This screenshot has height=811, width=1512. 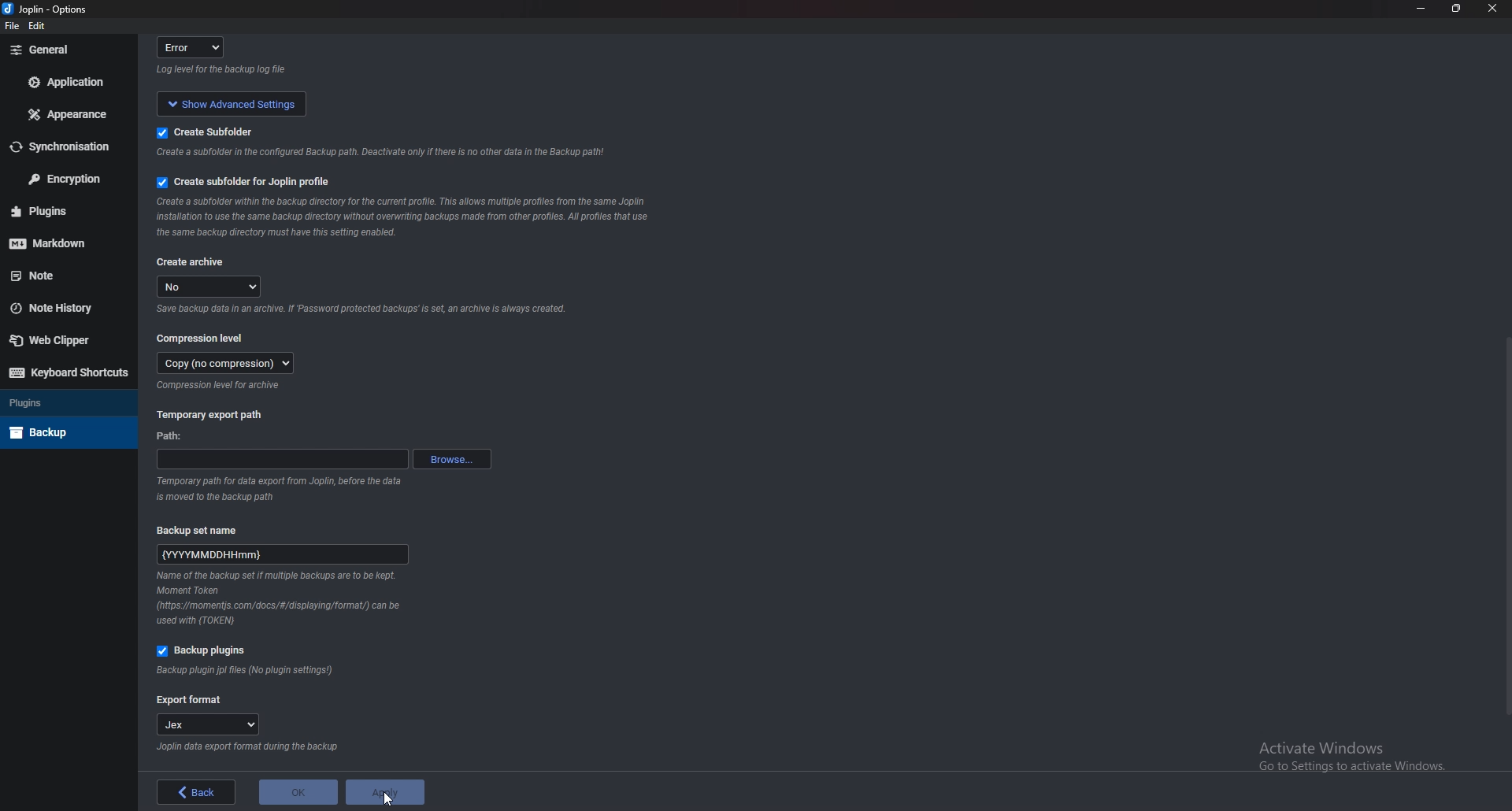 I want to click on close, so click(x=1490, y=12).